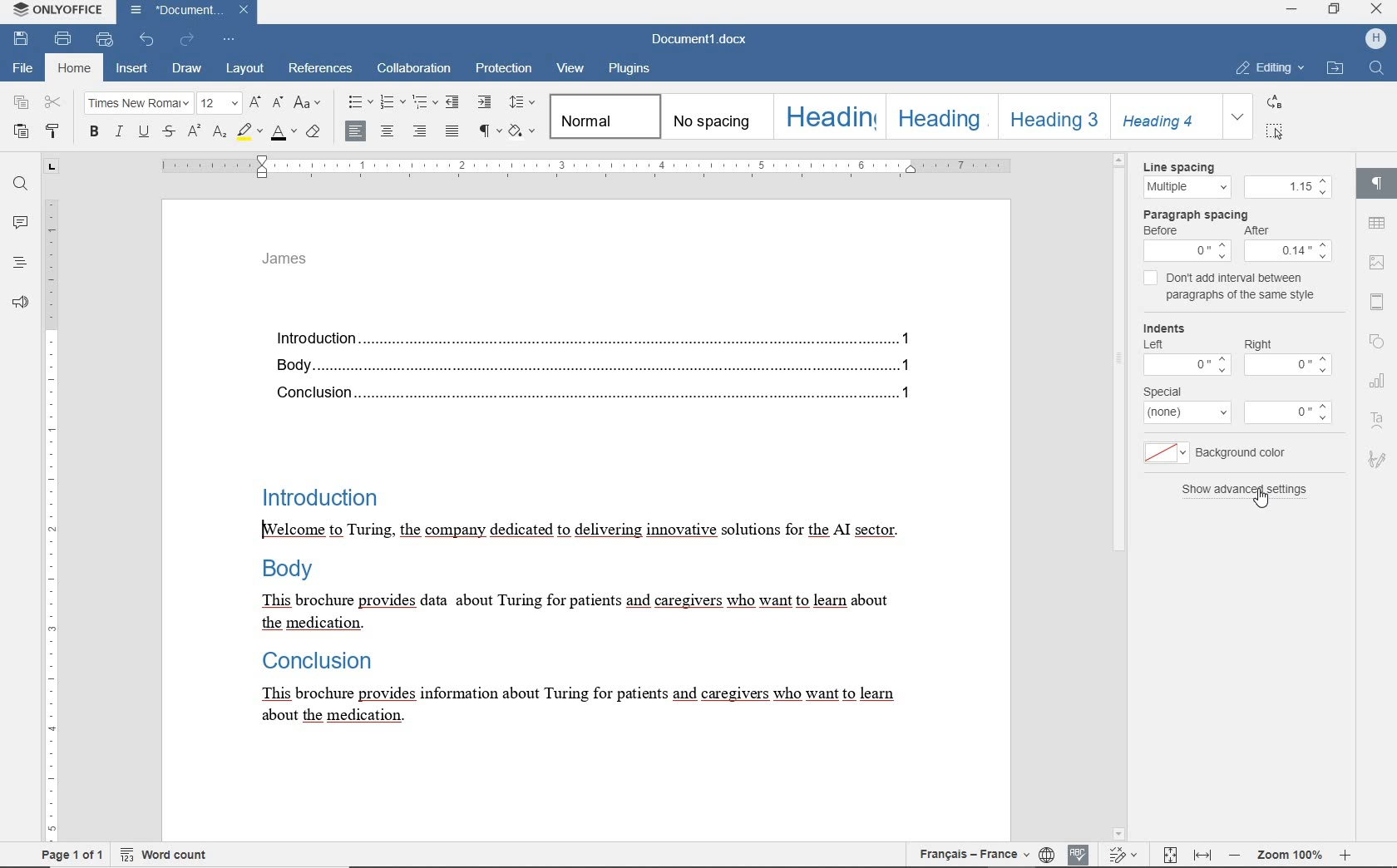 This screenshot has height=868, width=1397. What do you see at coordinates (1296, 413) in the screenshot?
I see `more options` at bounding box center [1296, 413].